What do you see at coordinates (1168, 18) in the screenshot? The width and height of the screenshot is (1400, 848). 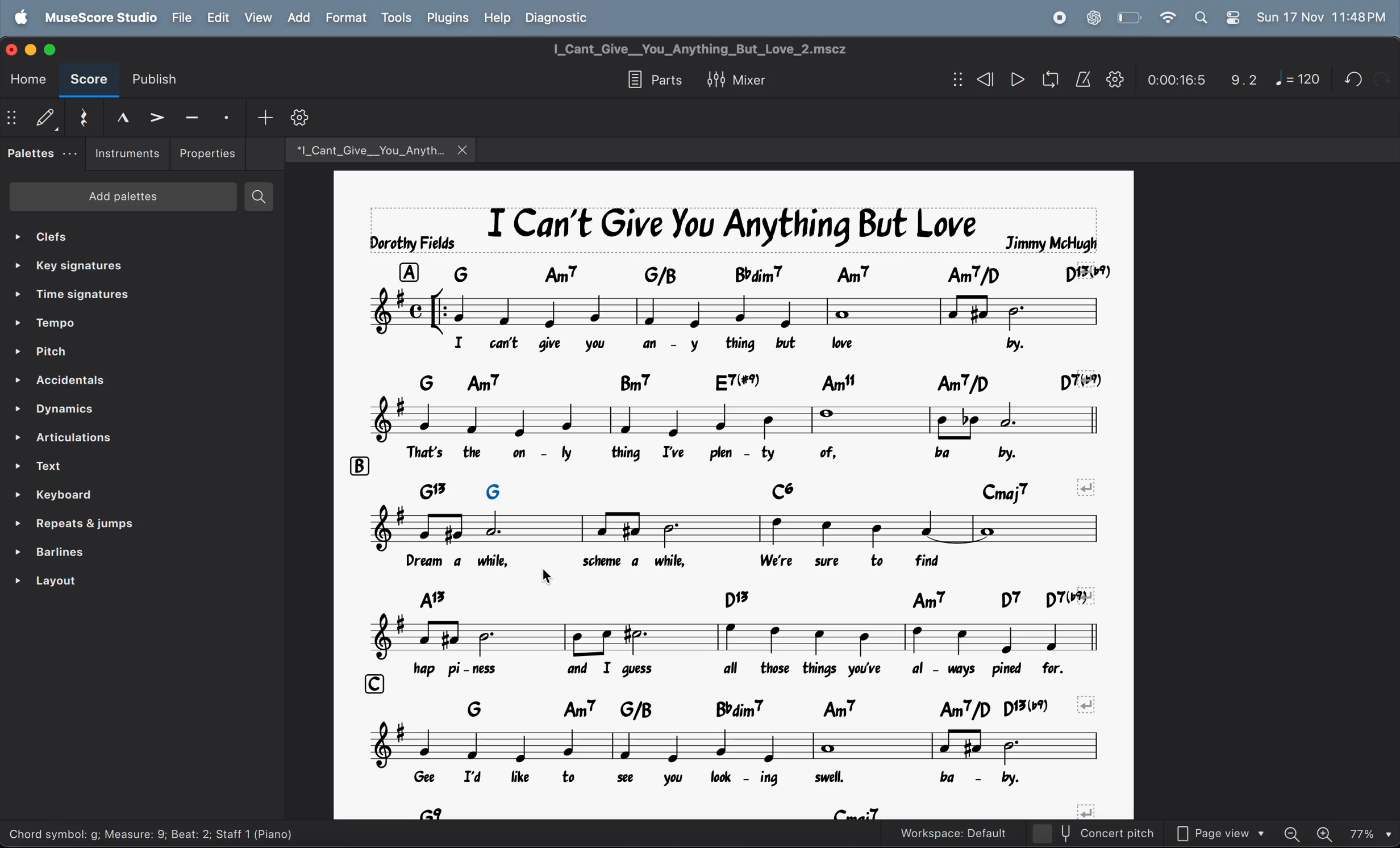 I see `wifi` at bounding box center [1168, 18].